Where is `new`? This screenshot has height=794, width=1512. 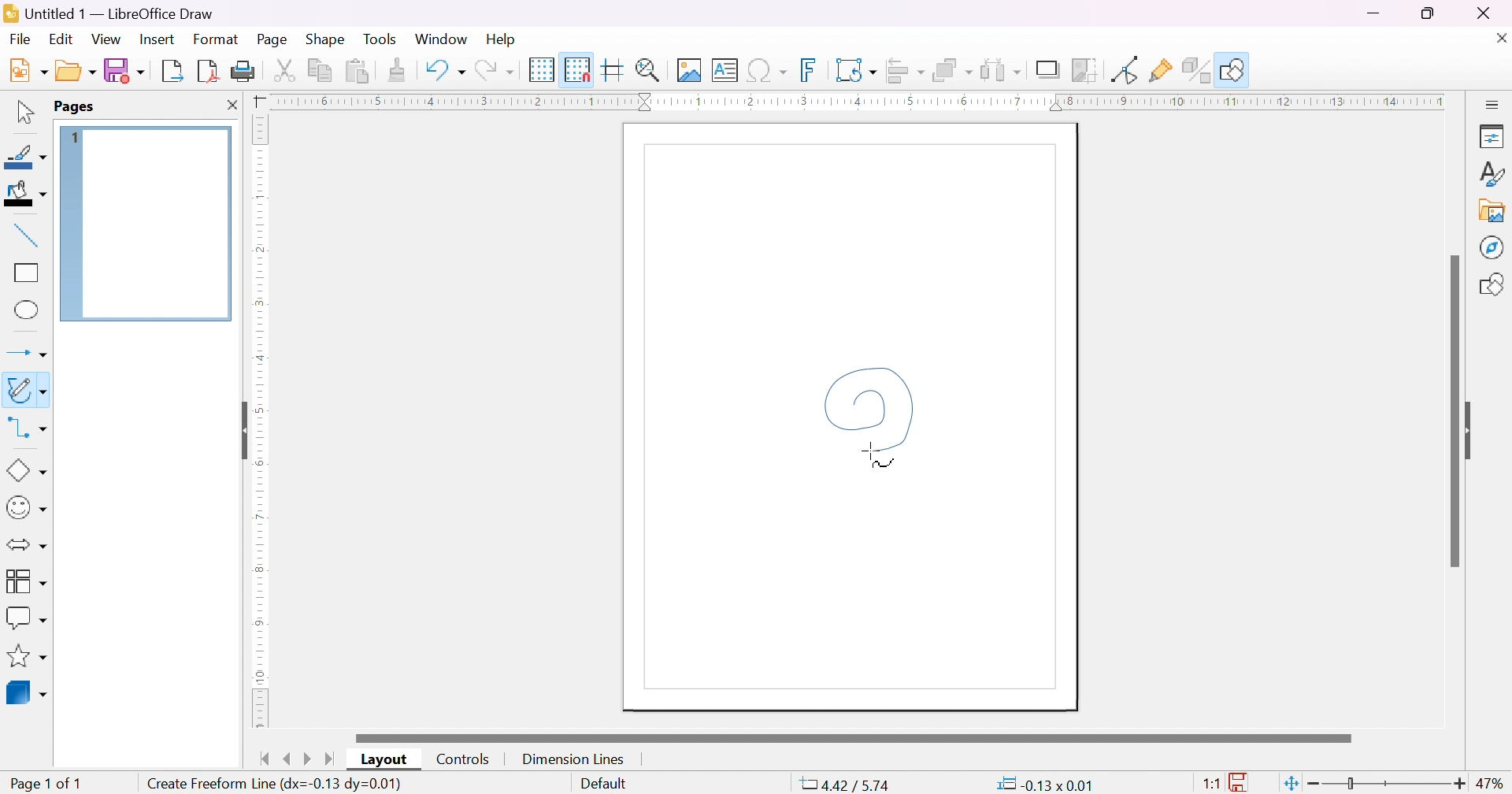 new is located at coordinates (28, 70).